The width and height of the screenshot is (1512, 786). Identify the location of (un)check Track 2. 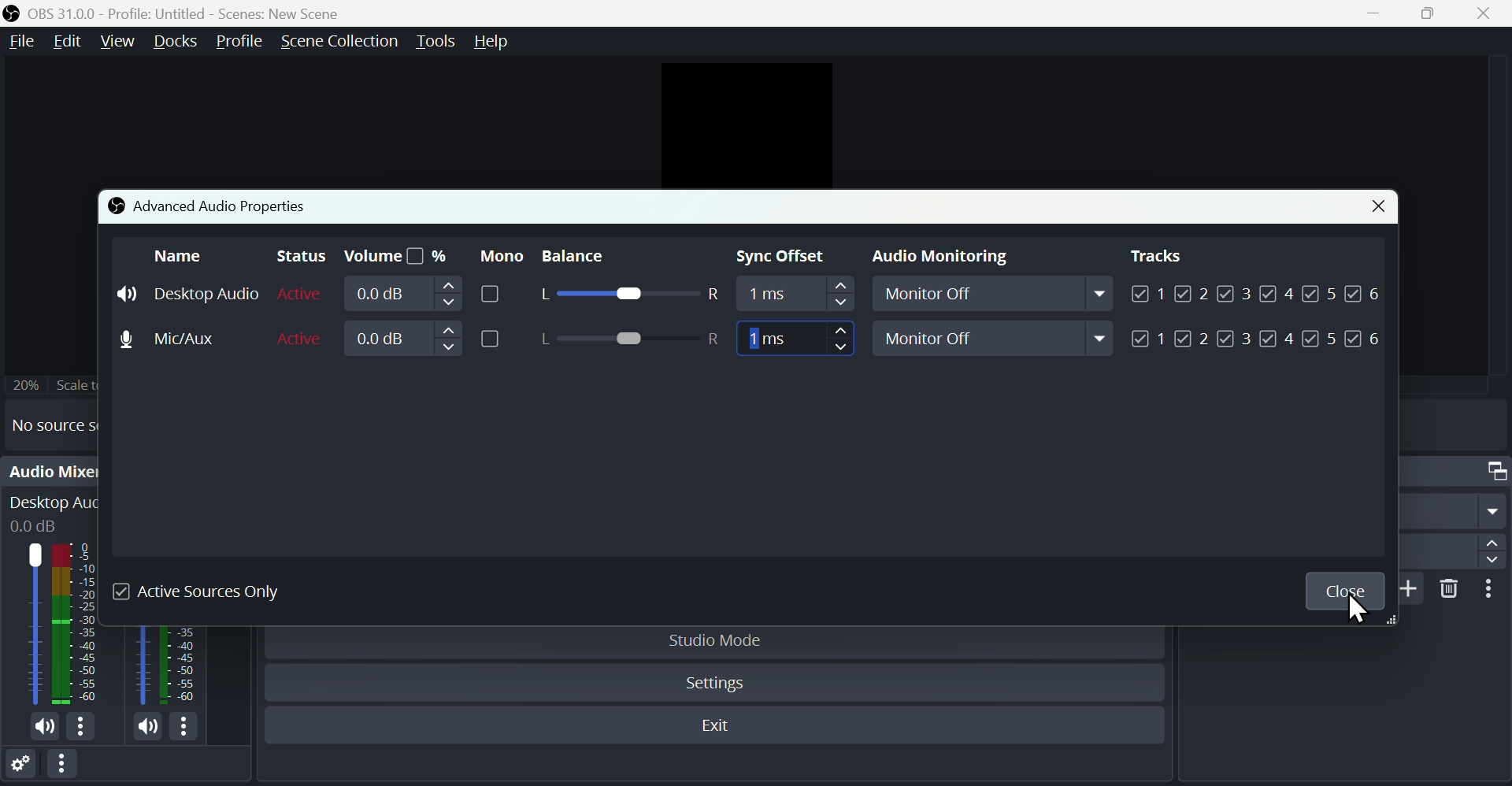
(1192, 339).